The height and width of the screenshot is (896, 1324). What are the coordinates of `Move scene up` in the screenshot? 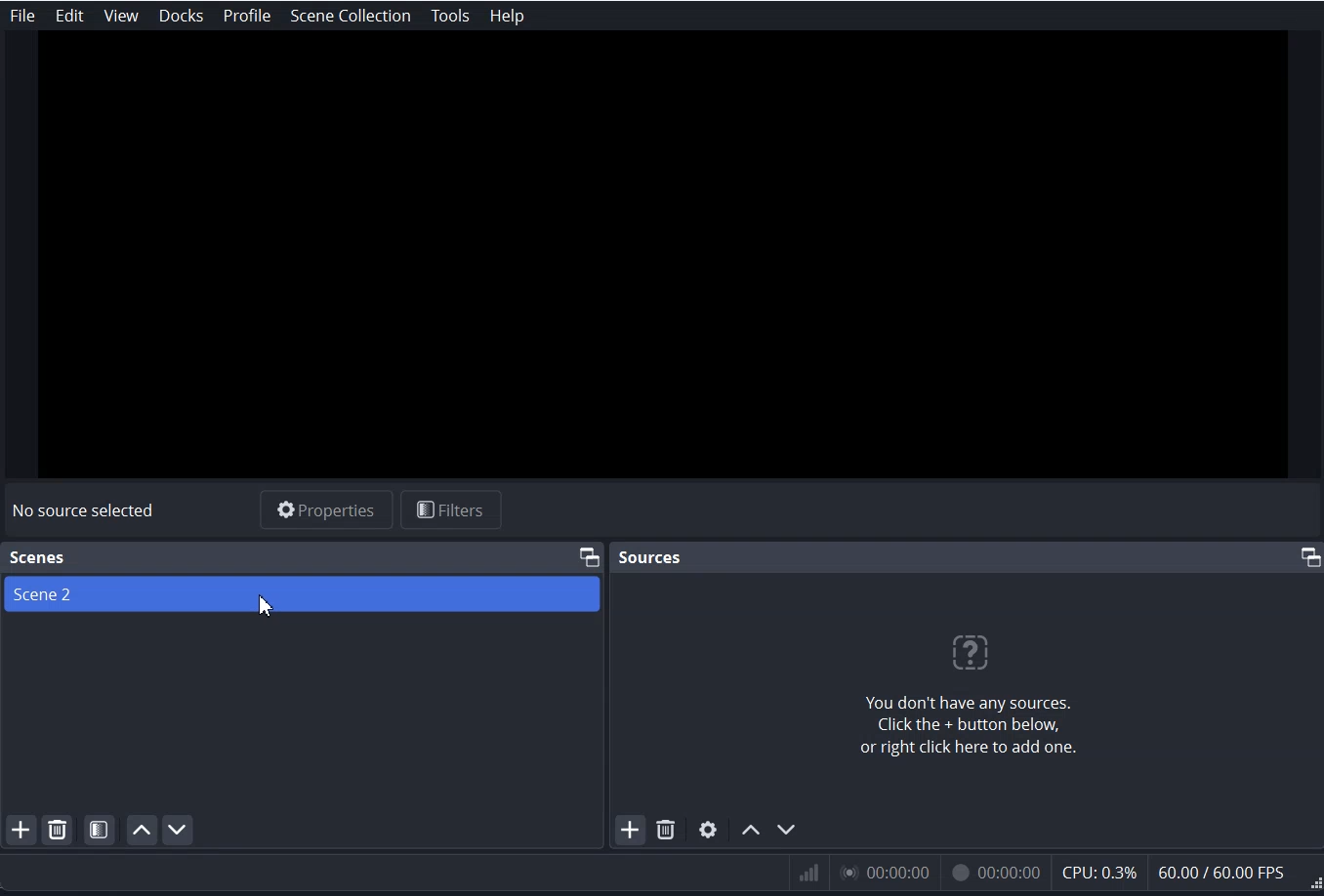 It's located at (140, 830).